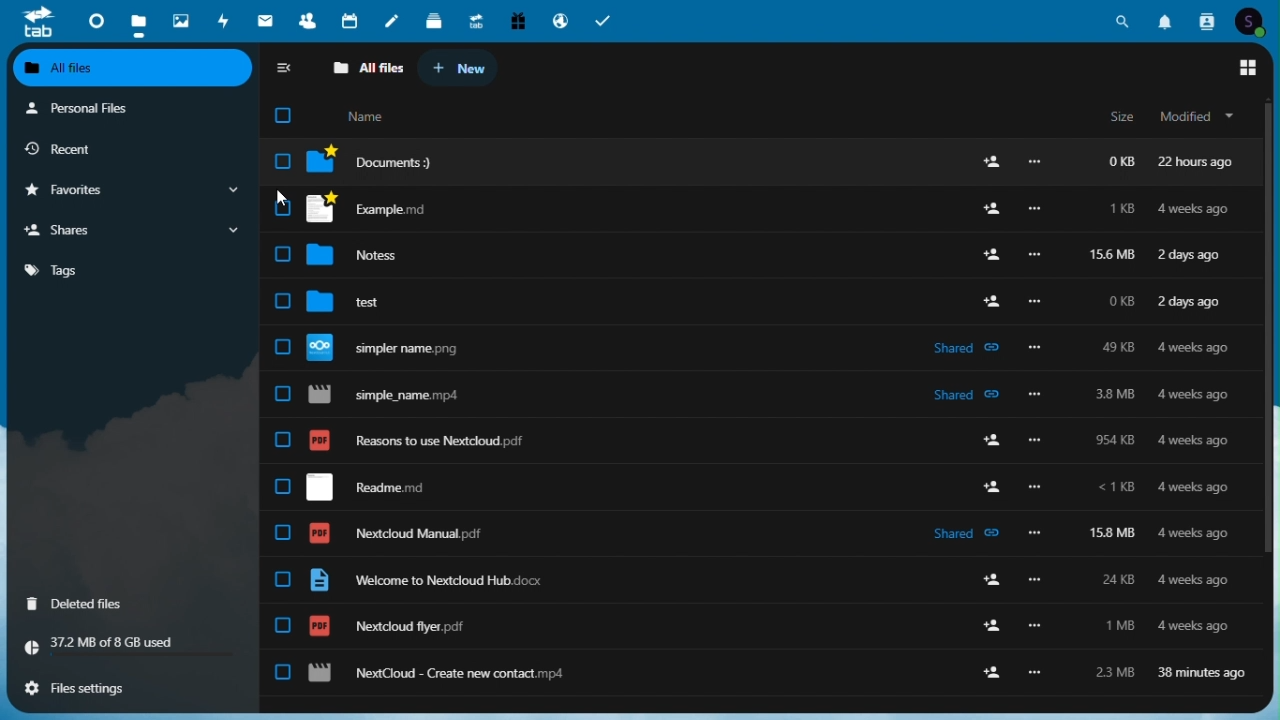  Describe the element at coordinates (1196, 443) in the screenshot. I see `4 weeks ago` at that location.